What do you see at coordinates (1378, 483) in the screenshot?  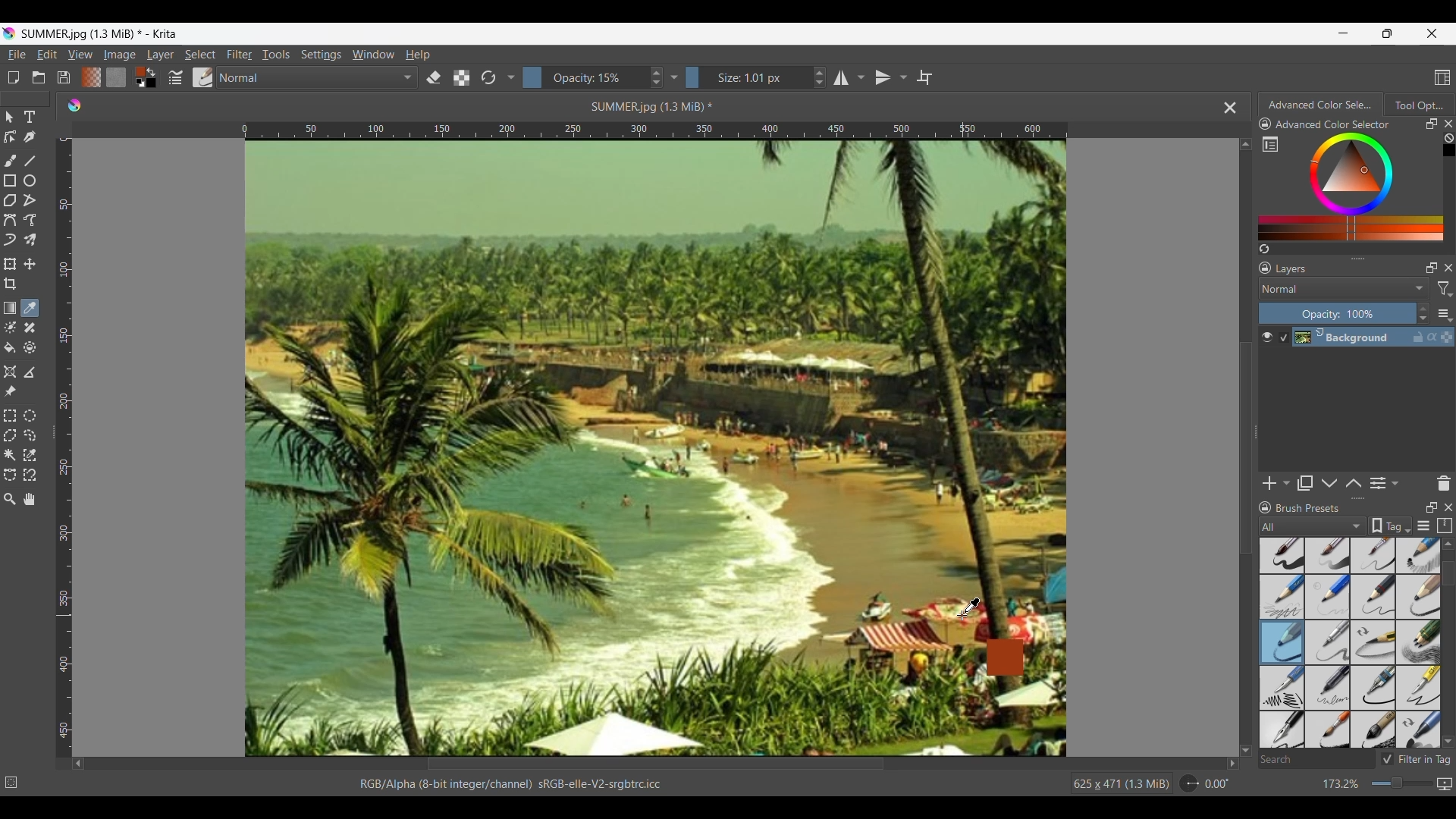 I see `View or change layer properties` at bounding box center [1378, 483].